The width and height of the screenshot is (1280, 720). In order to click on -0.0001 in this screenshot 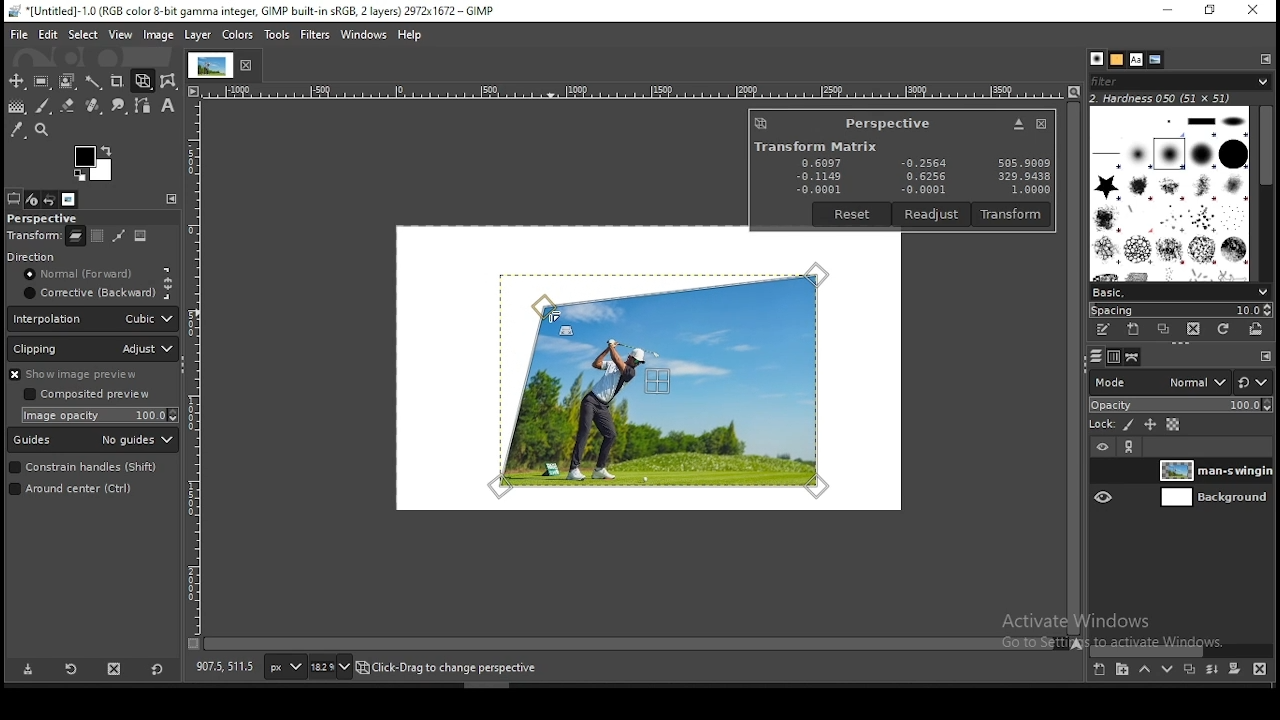, I will do `click(920, 190)`.